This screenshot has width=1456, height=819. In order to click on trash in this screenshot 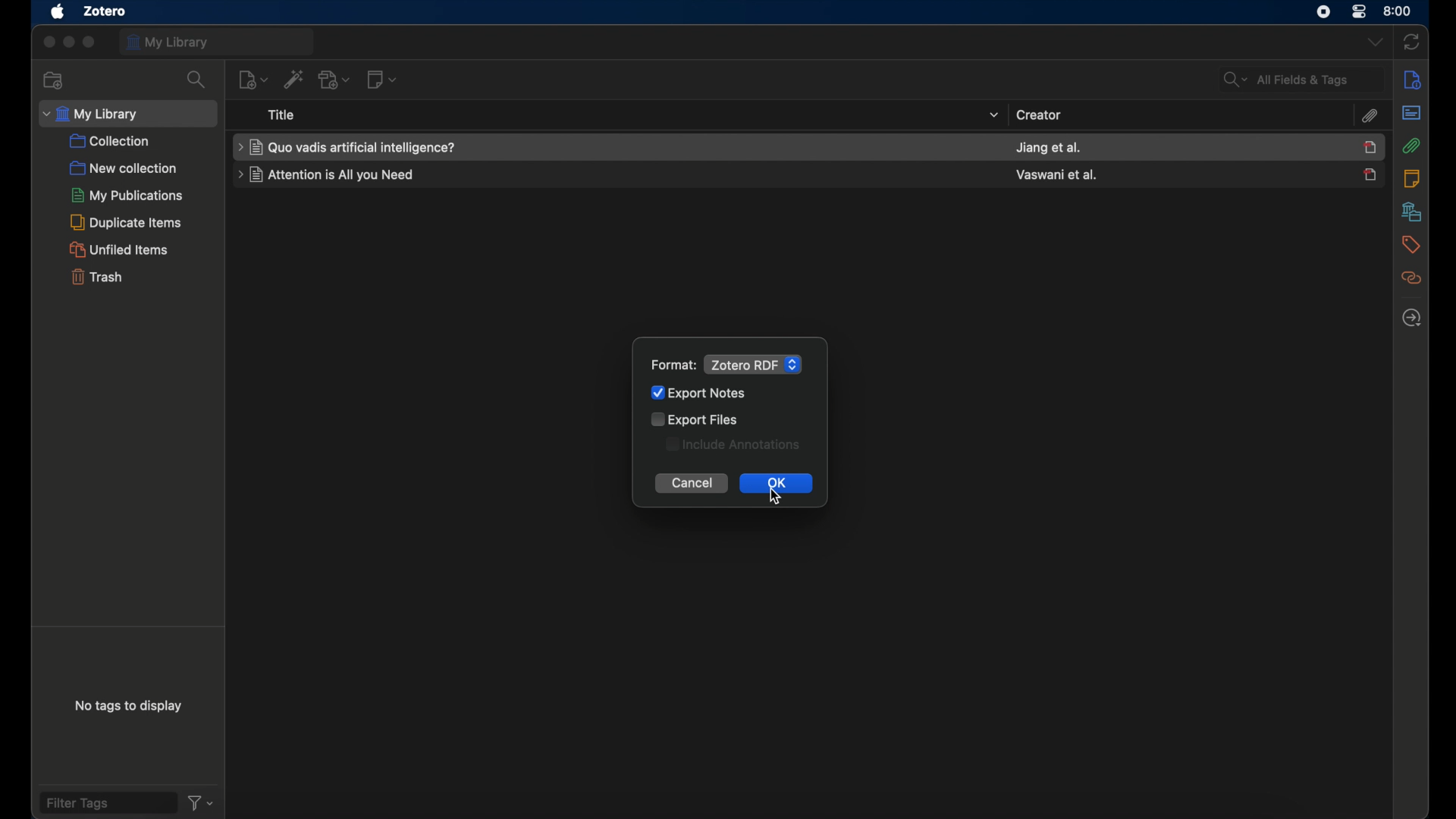, I will do `click(96, 276)`.